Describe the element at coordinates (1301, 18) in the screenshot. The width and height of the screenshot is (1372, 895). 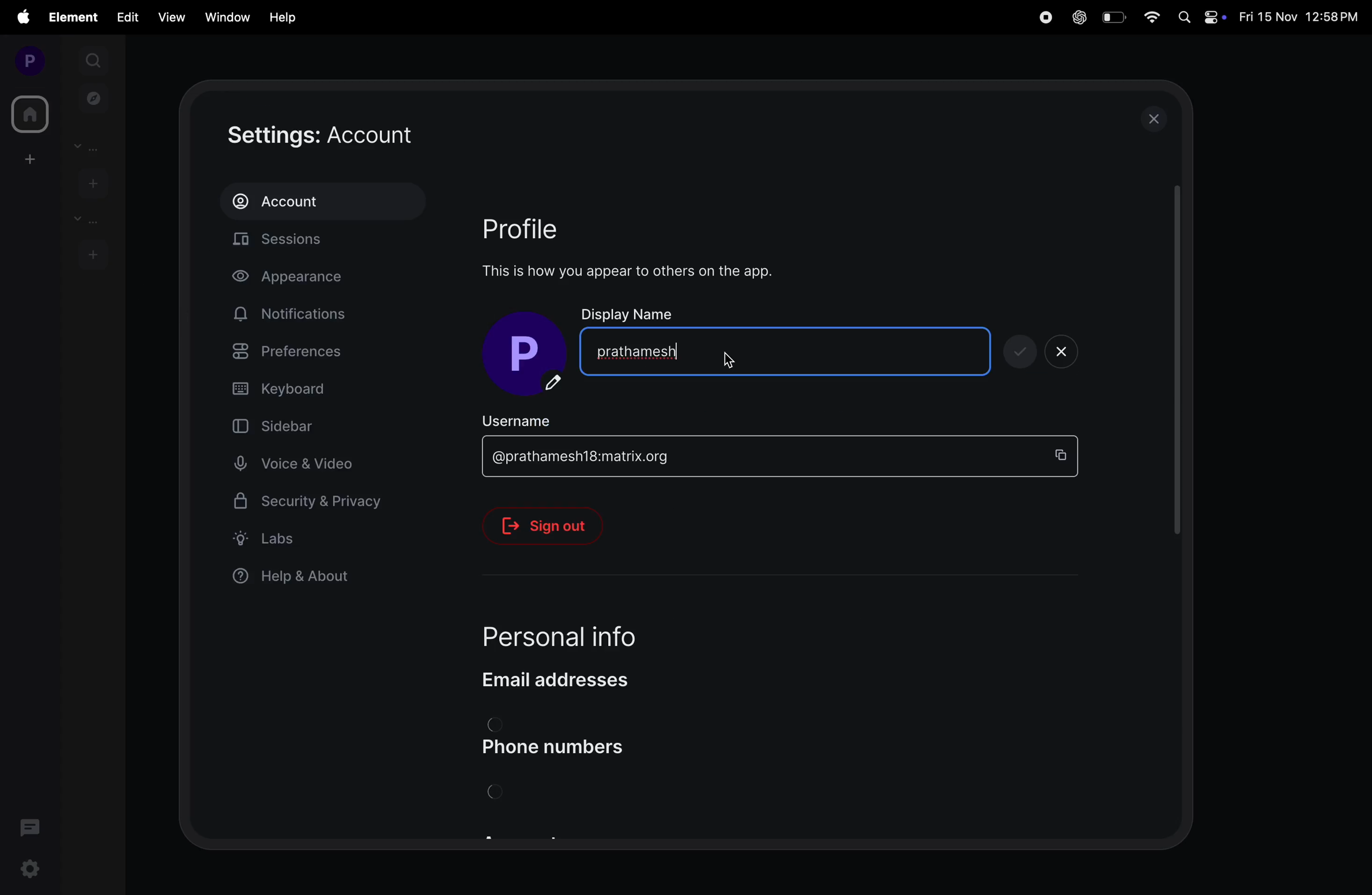
I see `date and time` at that location.